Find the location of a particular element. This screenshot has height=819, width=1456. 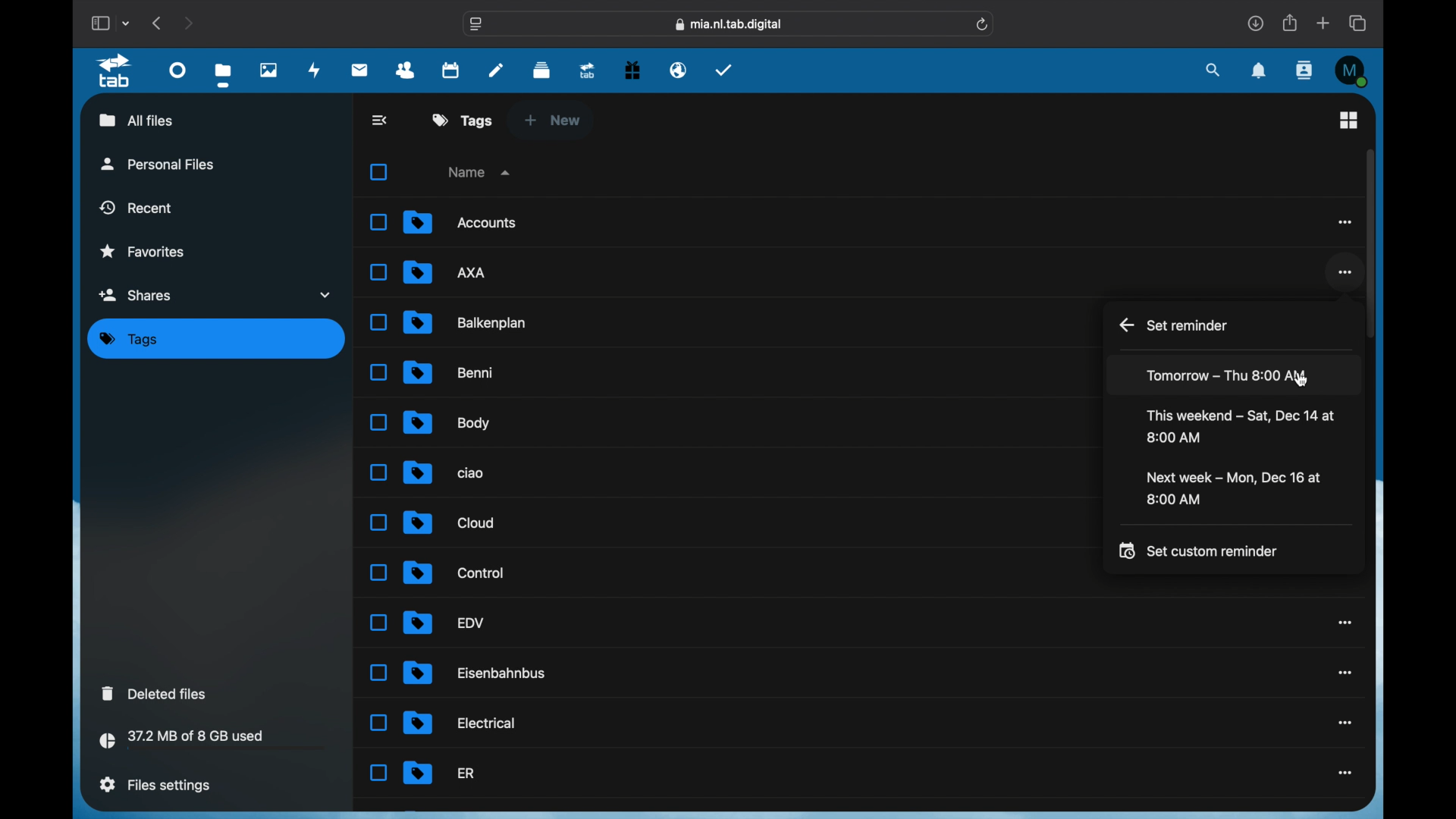

more options is located at coordinates (1345, 773).